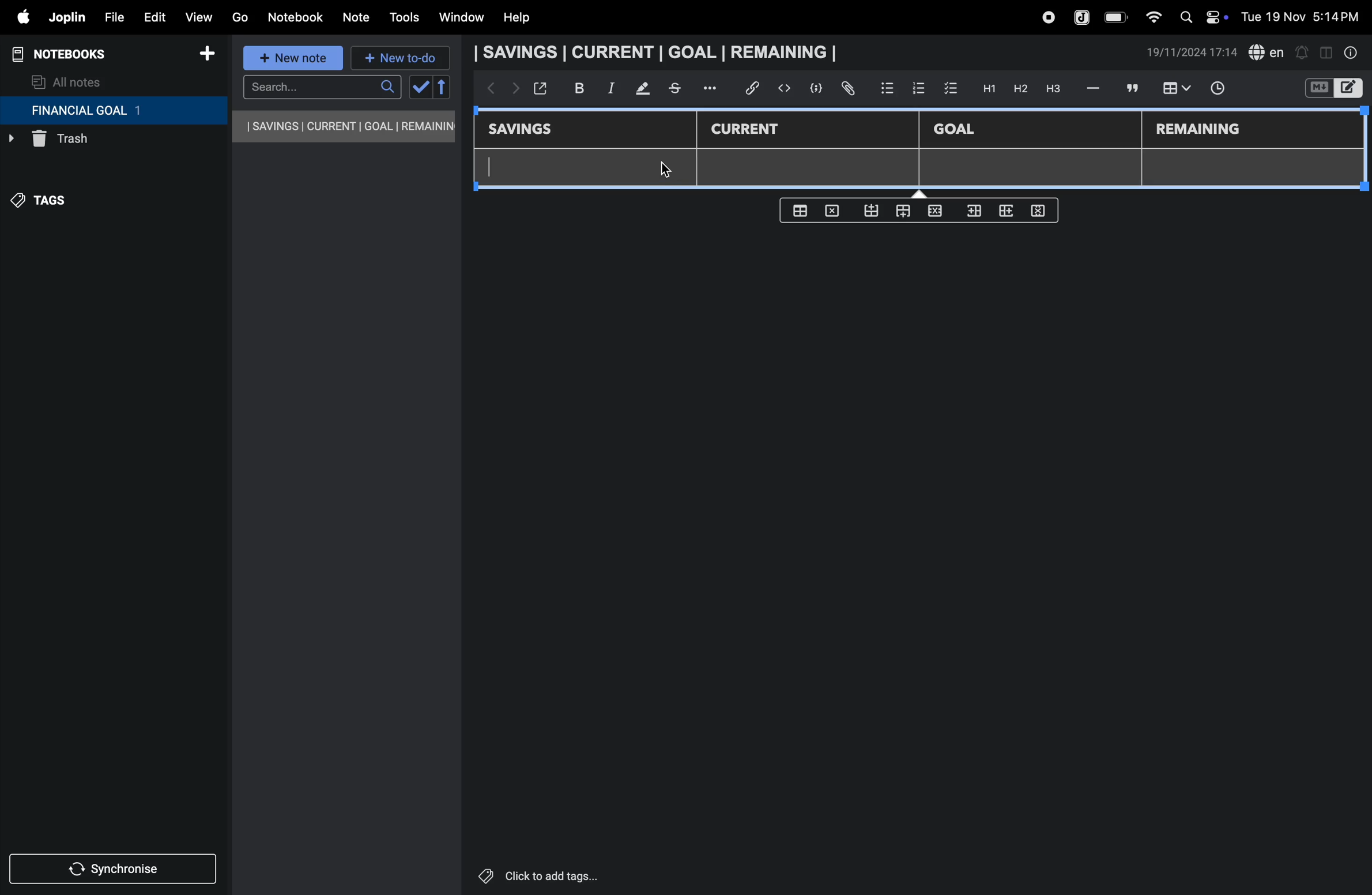  What do you see at coordinates (149, 14) in the screenshot?
I see `edit` at bounding box center [149, 14].